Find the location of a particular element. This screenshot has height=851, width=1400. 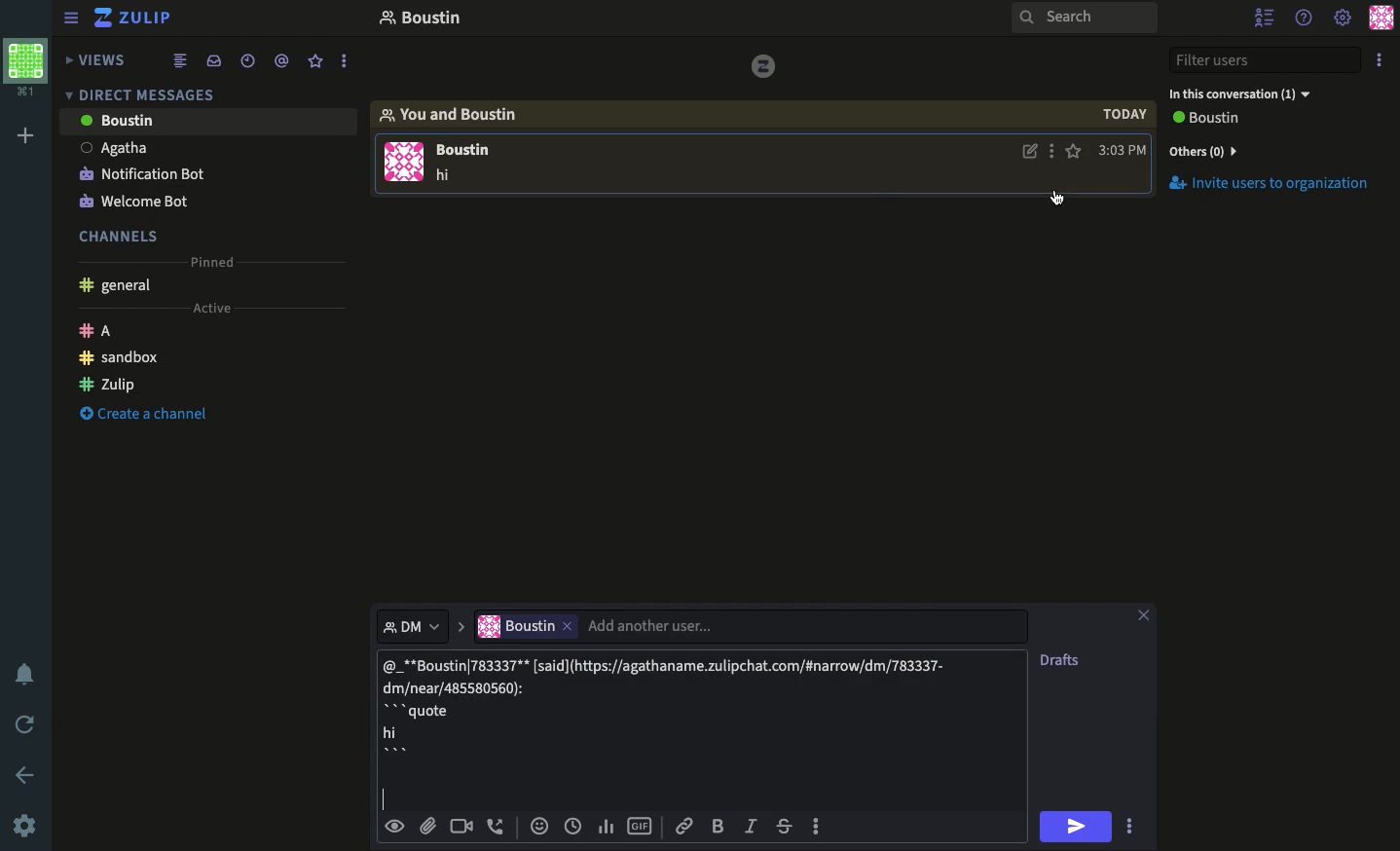

User Input is located at coordinates (609, 625).